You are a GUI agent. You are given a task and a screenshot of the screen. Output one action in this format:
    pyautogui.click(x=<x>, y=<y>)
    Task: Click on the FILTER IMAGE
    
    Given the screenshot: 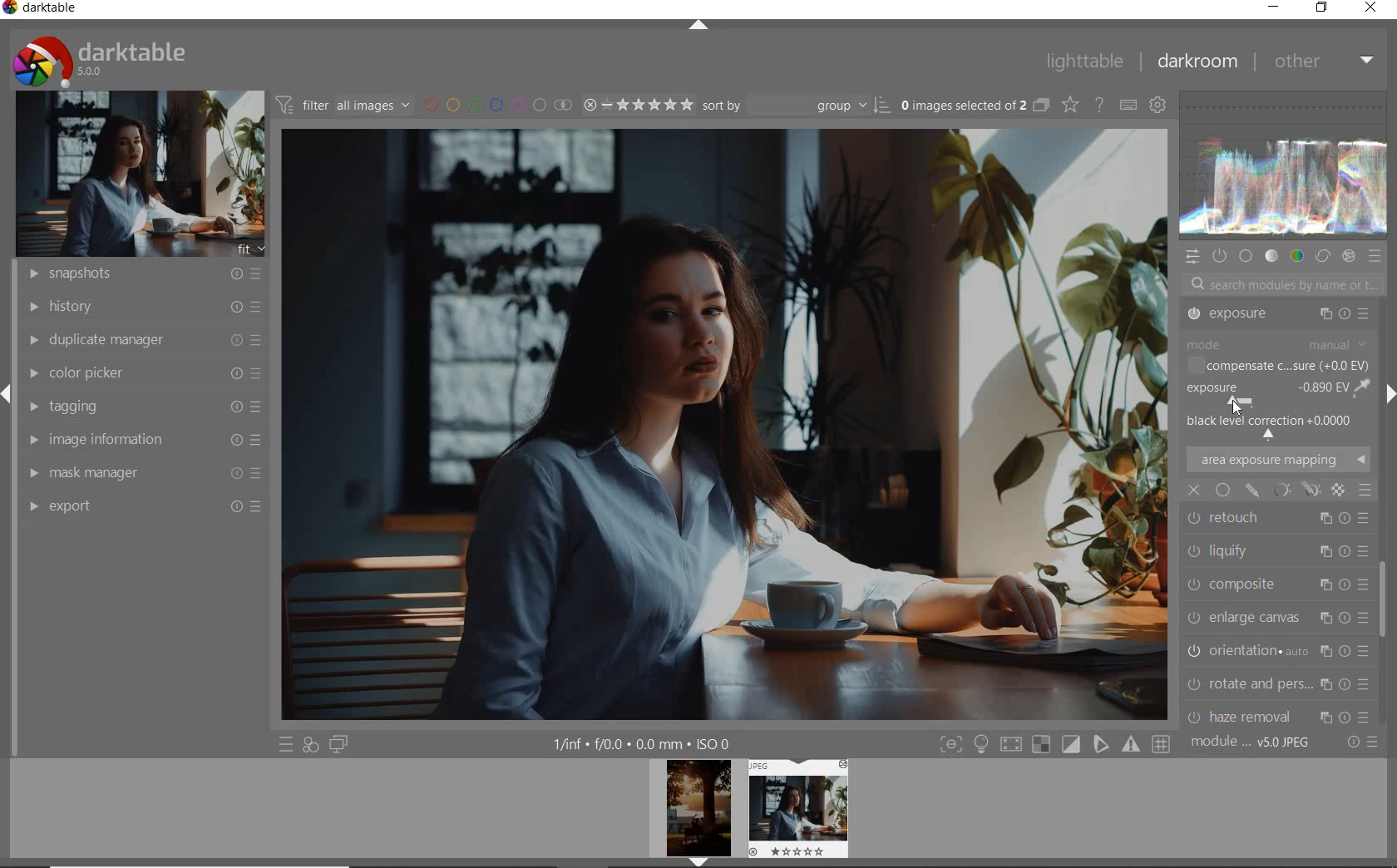 What is the action you would take?
    pyautogui.click(x=339, y=105)
    